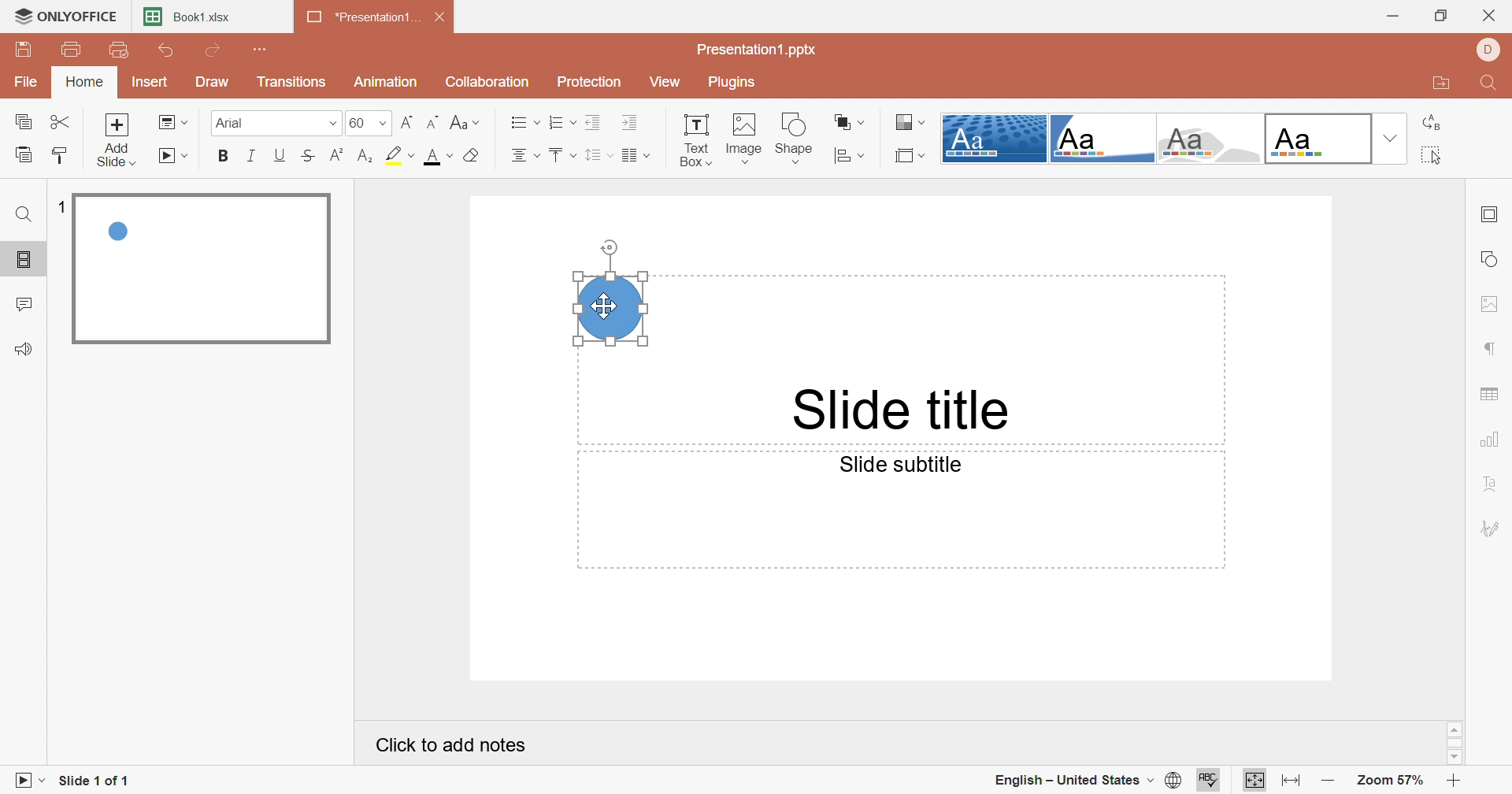 The image size is (1512, 794). What do you see at coordinates (593, 122) in the screenshot?
I see `Decrease indent` at bounding box center [593, 122].